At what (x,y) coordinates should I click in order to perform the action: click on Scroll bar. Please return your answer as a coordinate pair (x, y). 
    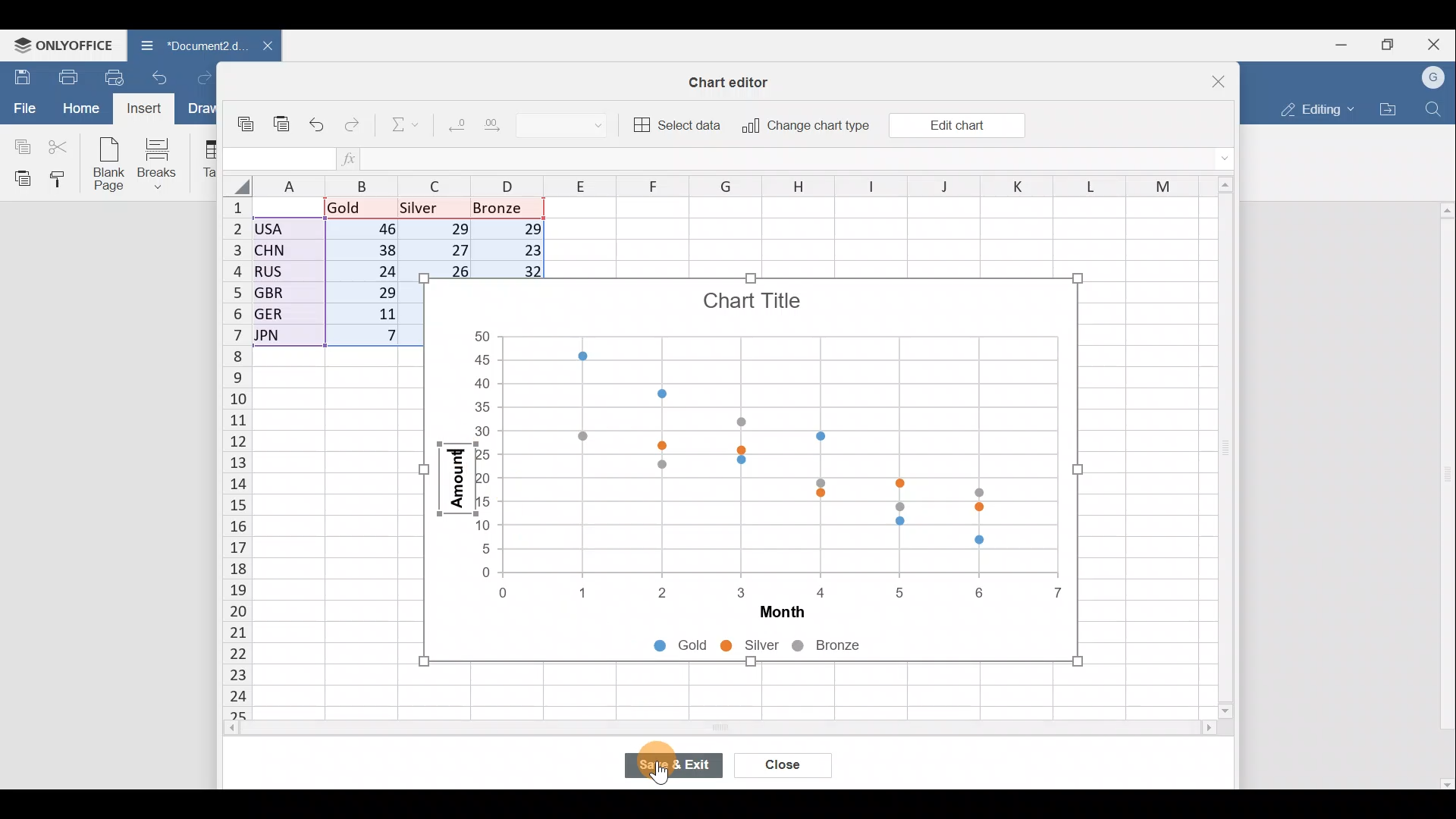
    Looking at the image, I should click on (1220, 449).